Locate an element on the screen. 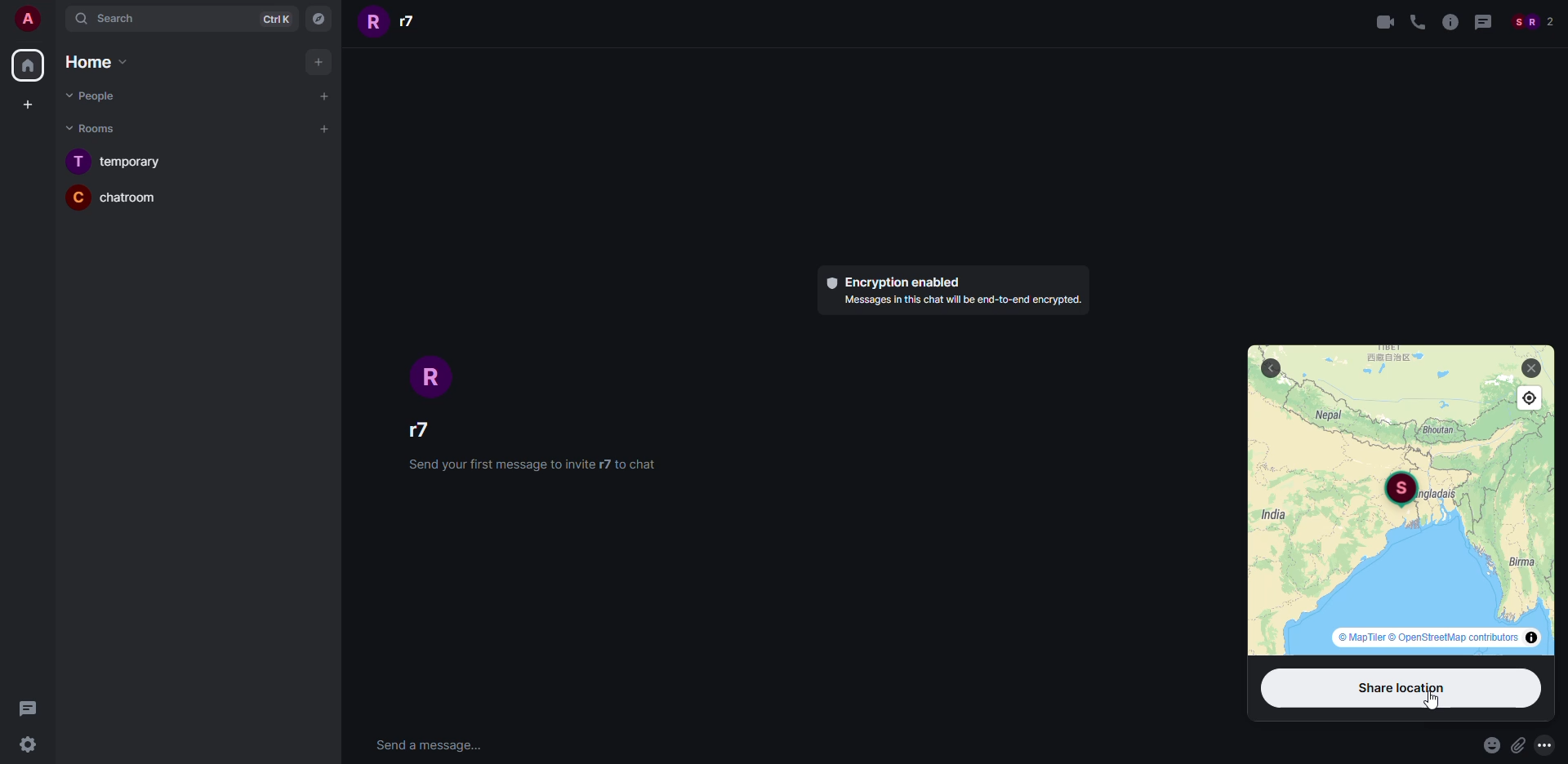 This screenshot has height=764, width=1568. Username is located at coordinates (432, 428).